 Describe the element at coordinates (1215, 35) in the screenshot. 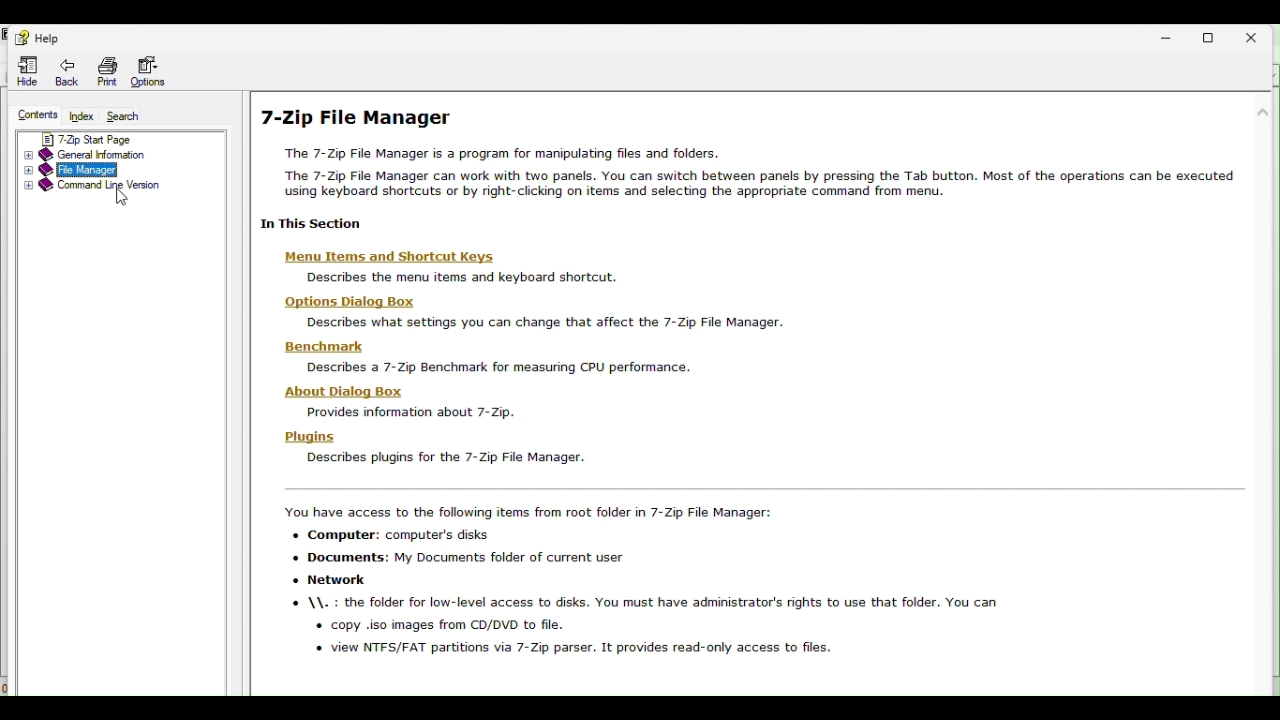

I see `Restore` at that location.